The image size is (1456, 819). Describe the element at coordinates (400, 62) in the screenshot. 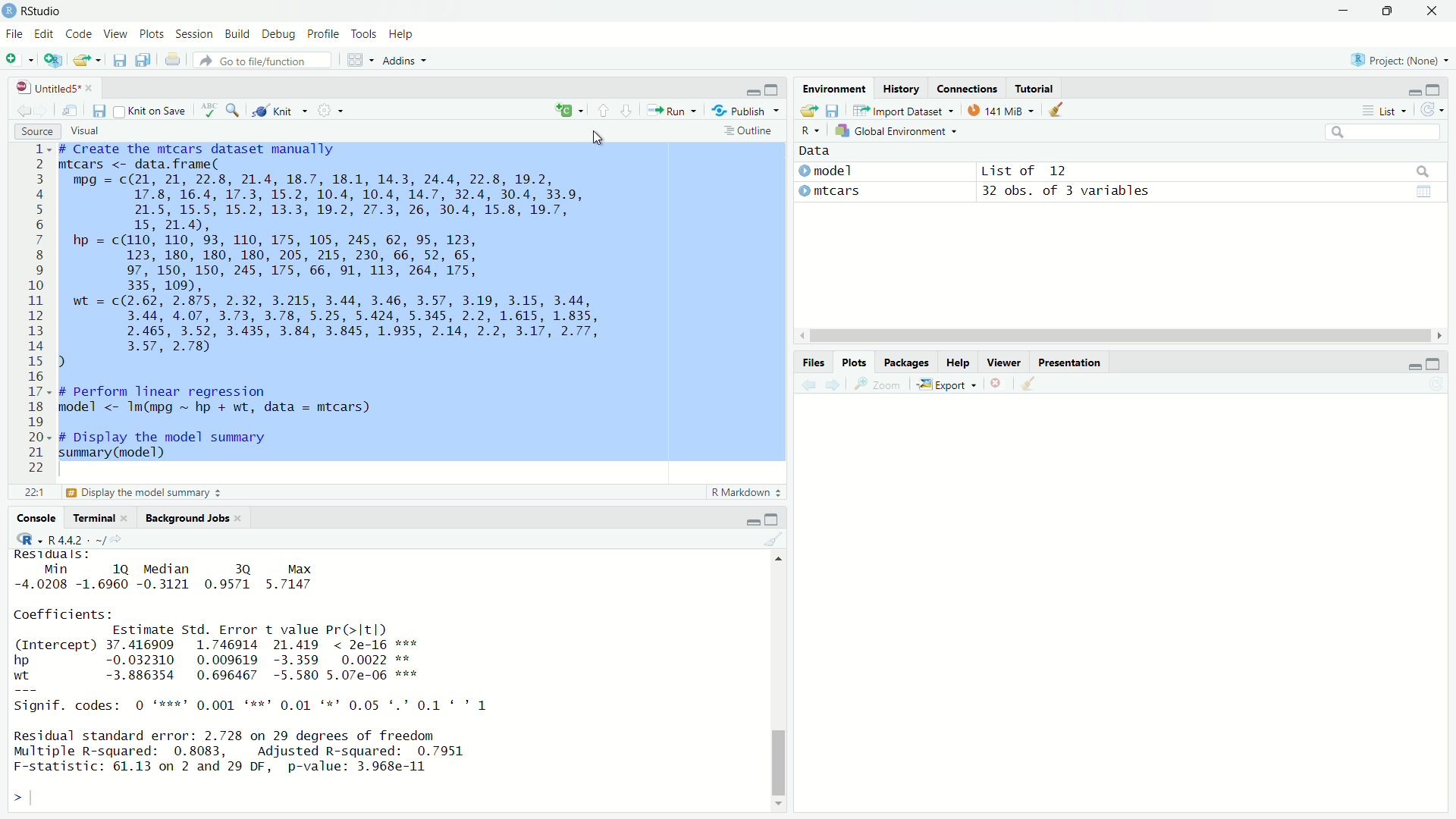

I see `Addins` at that location.